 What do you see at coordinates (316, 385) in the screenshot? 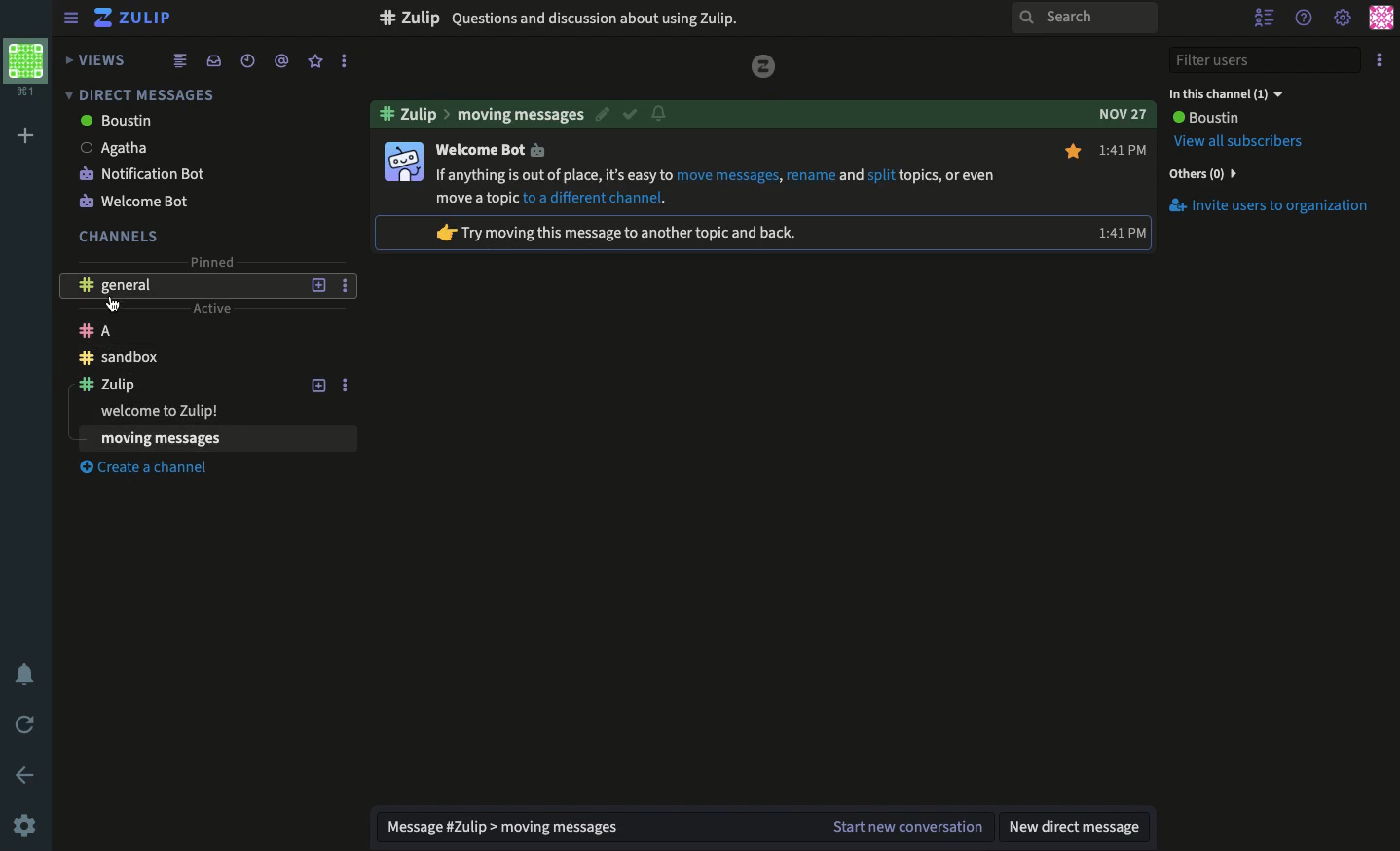
I see `Add a topic` at bounding box center [316, 385].